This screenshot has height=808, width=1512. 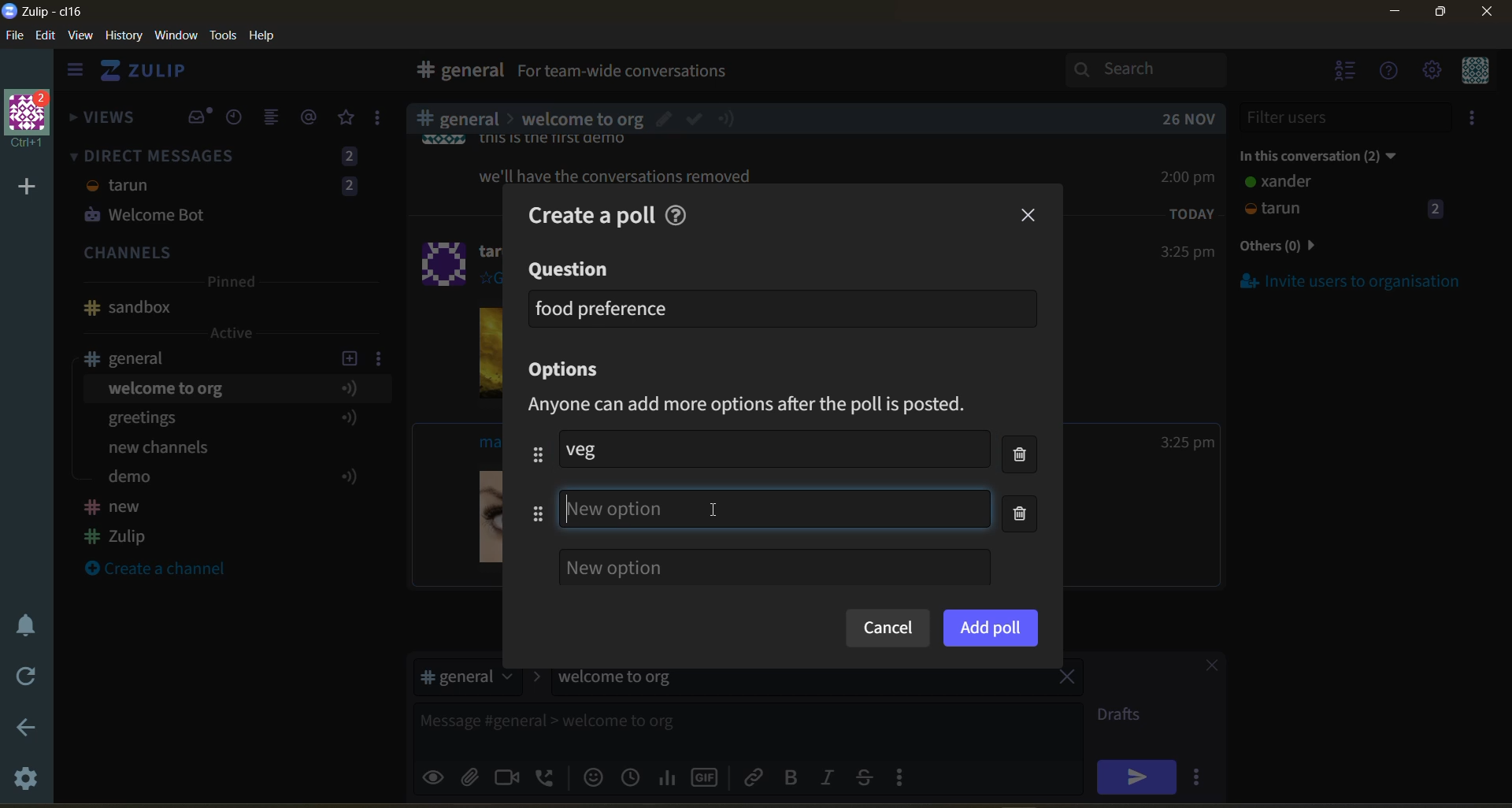 What do you see at coordinates (669, 776) in the screenshot?
I see `poll` at bounding box center [669, 776].